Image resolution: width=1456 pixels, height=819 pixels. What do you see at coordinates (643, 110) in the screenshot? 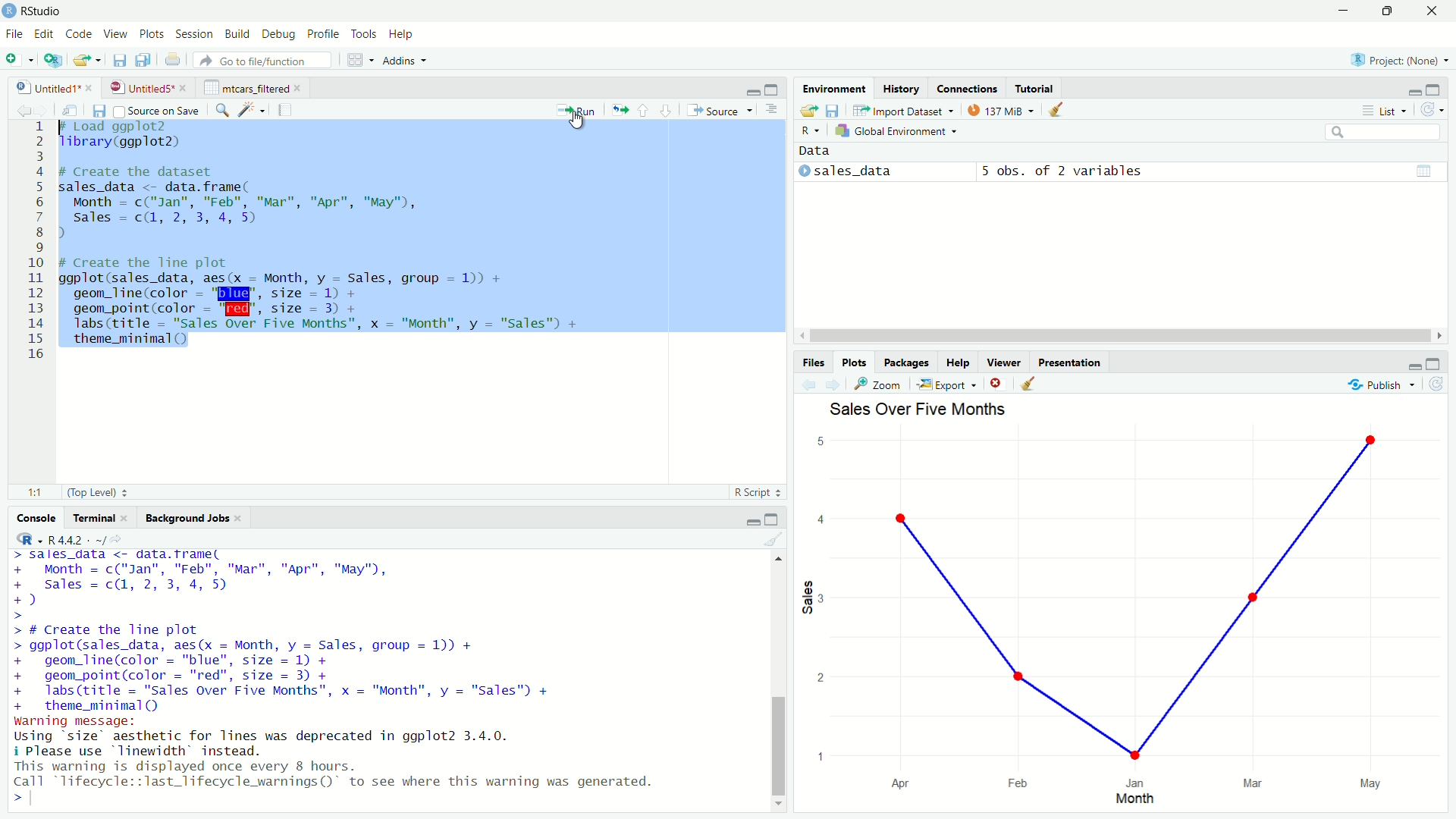
I see `previous code section` at bounding box center [643, 110].